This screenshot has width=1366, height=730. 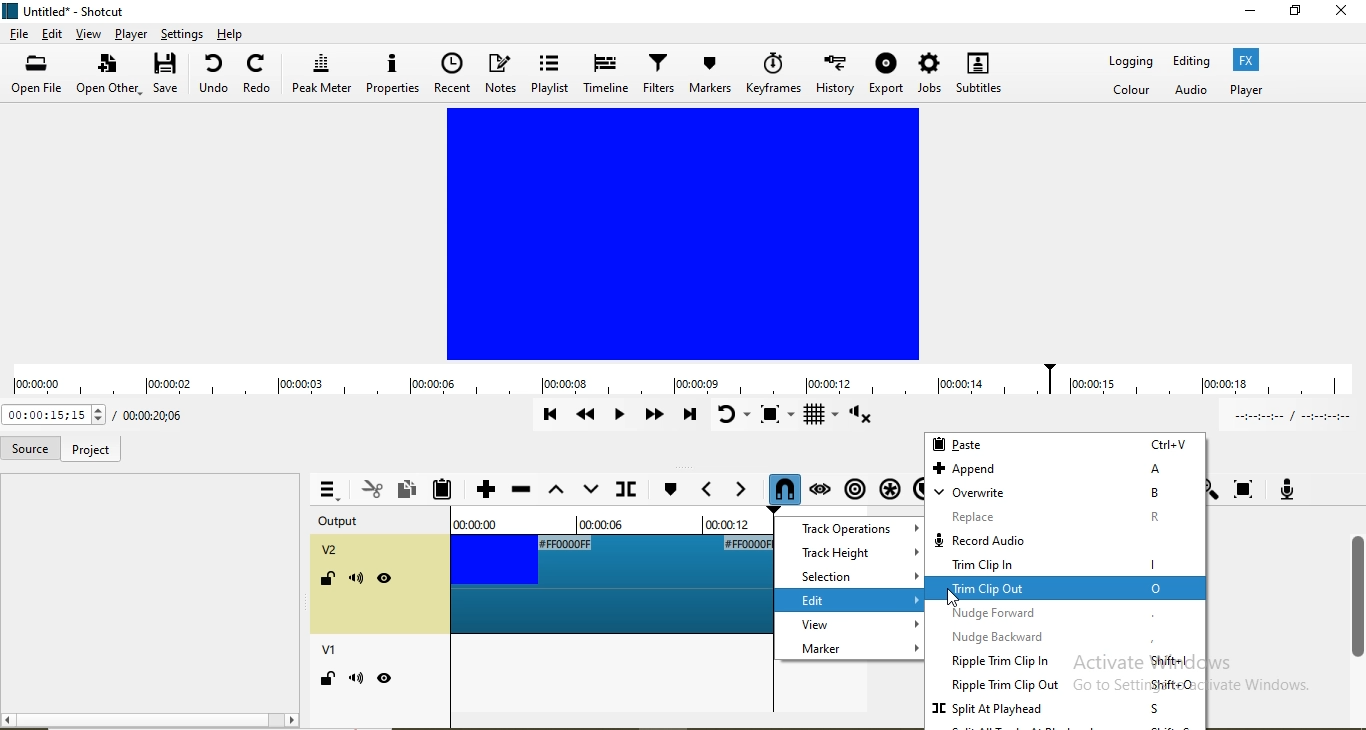 I want to click on split at playhead, so click(x=1068, y=709).